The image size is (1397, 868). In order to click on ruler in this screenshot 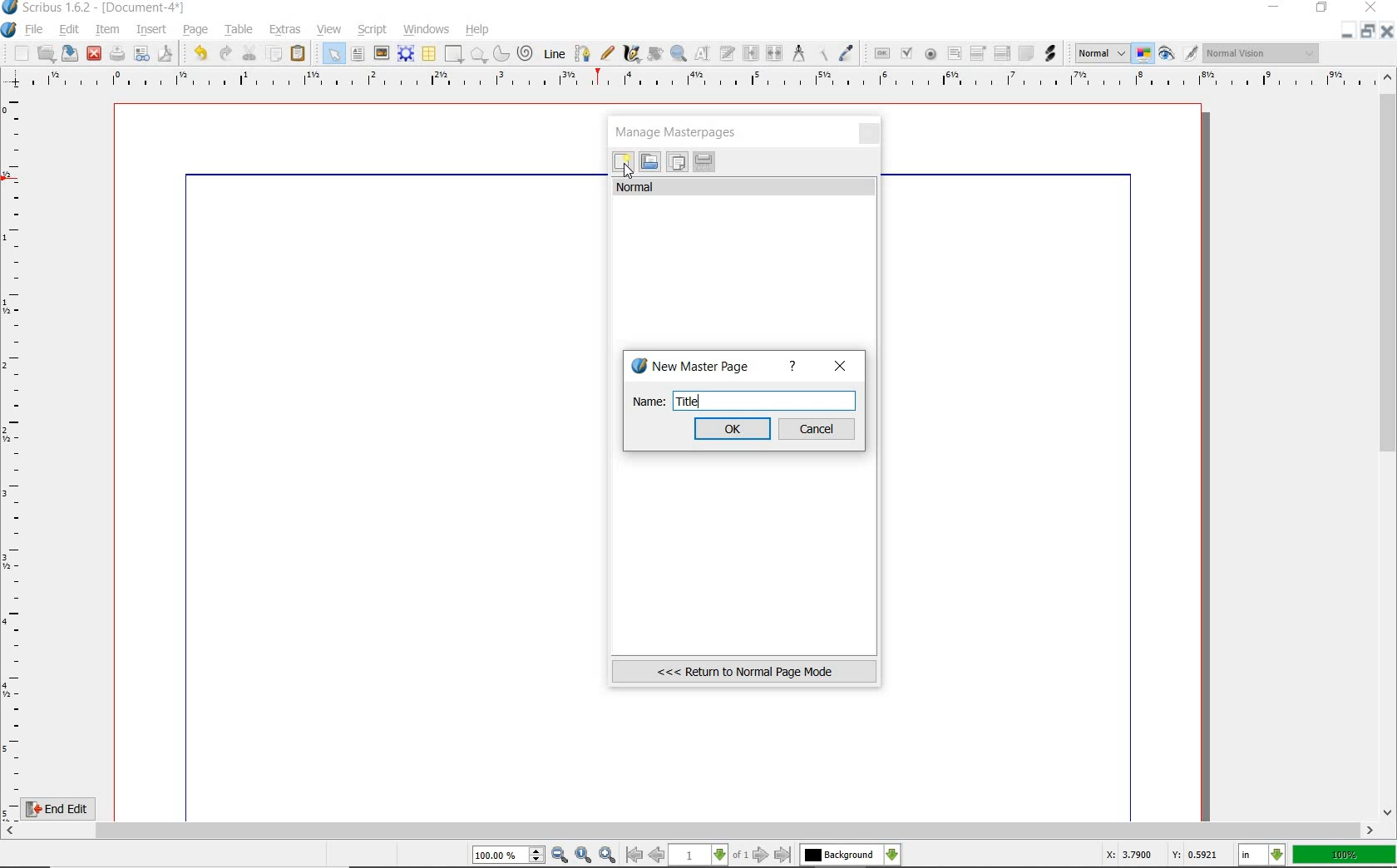, I will do `click(699, 81)`.